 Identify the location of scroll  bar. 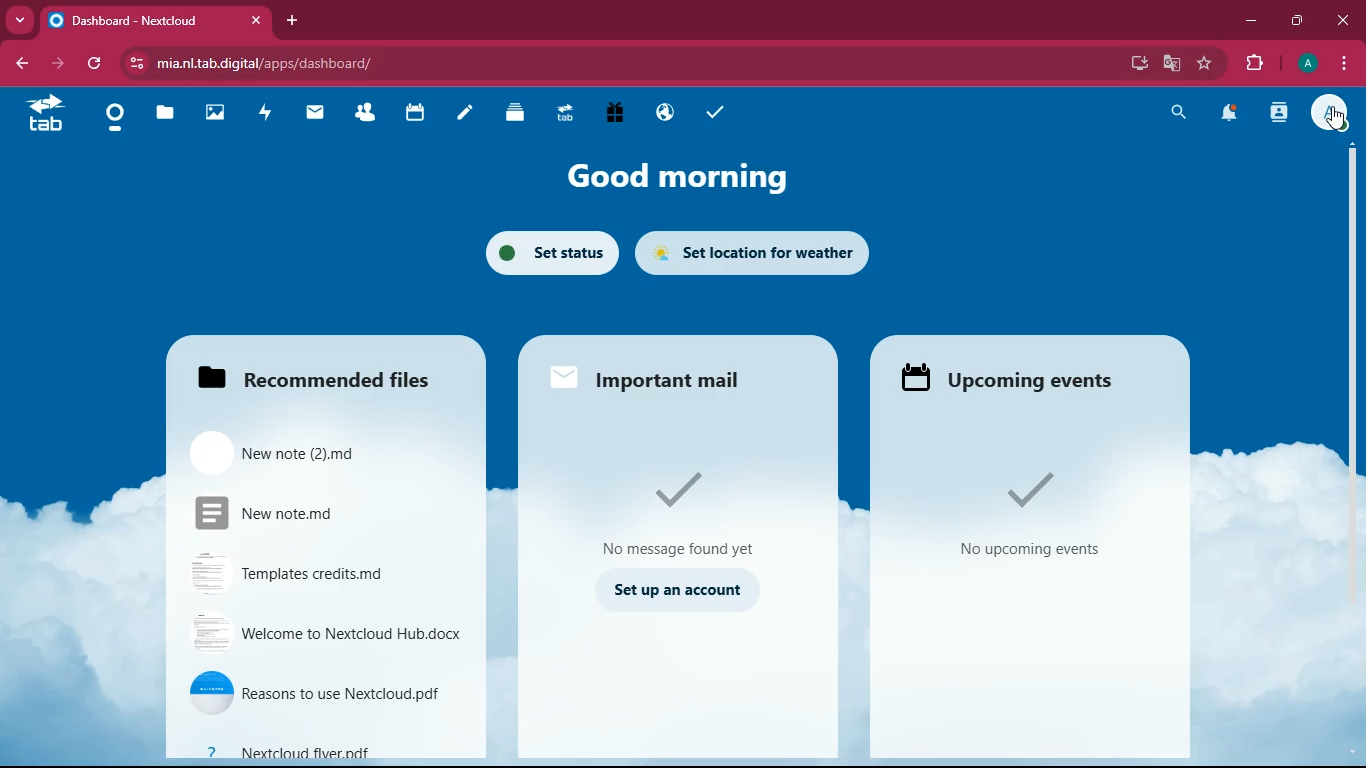
(1346, 318).